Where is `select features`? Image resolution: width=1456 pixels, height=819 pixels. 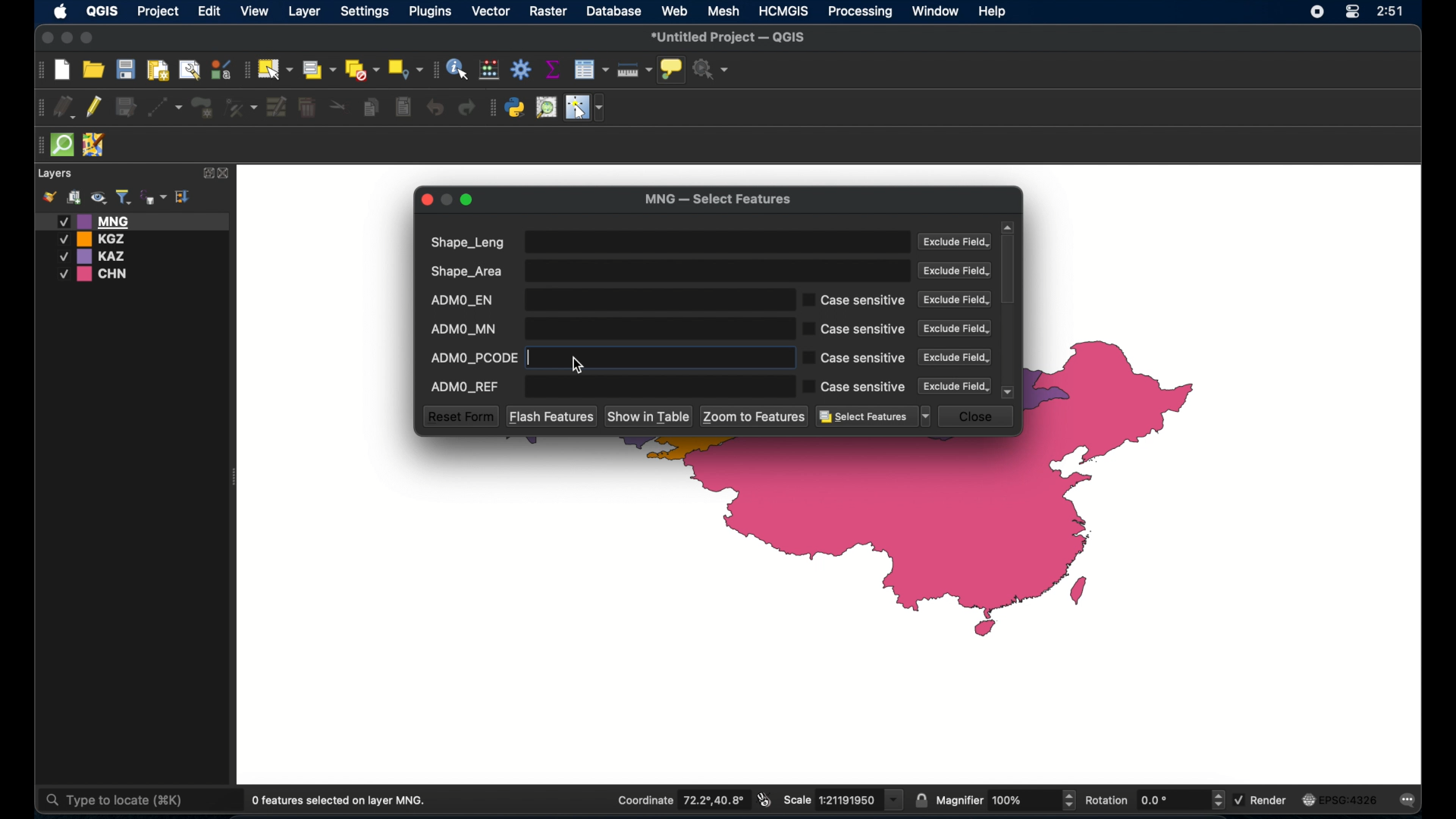 select features is located at coordinates (874, 417).